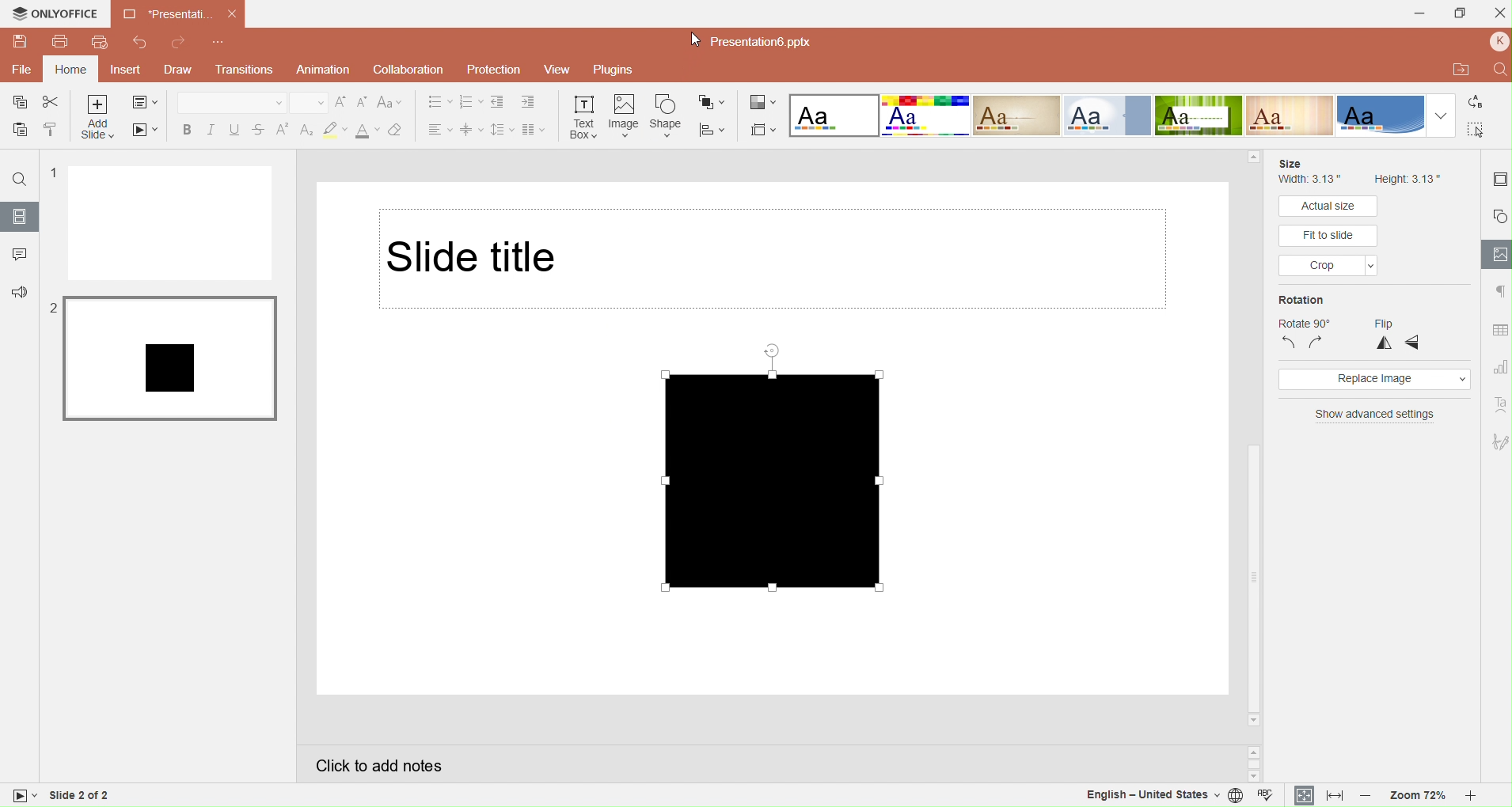  I want to click on Decrement font size, so click(363, 103).